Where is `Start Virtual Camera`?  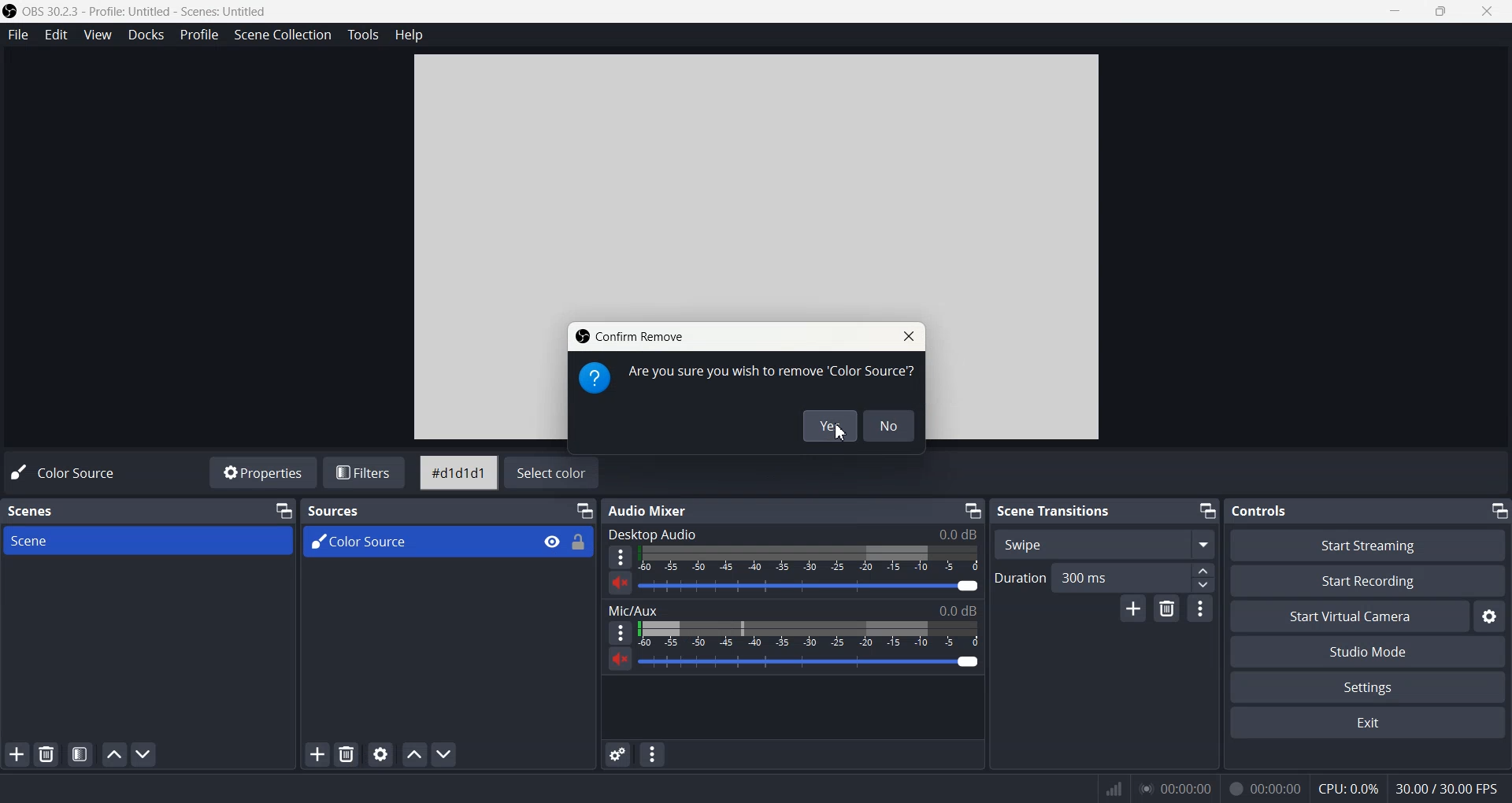
Start Virtual Camera is located at coordinates (1347, 617).